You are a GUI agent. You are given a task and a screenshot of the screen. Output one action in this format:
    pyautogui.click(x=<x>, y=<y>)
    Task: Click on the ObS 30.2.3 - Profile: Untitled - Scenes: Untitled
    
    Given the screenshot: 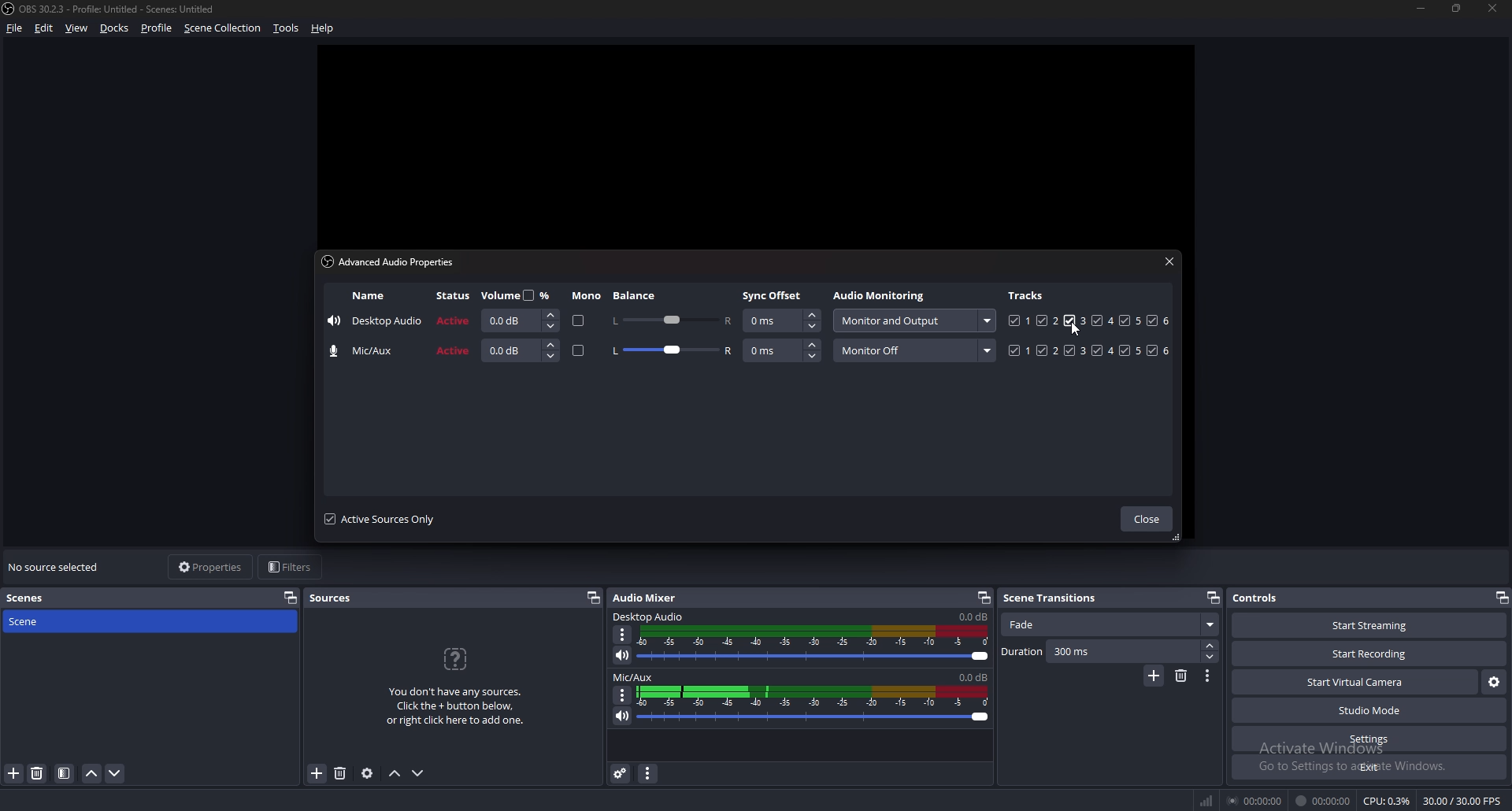 What is the action you would take?
    pyautogui.click(x=124, y=6)
    